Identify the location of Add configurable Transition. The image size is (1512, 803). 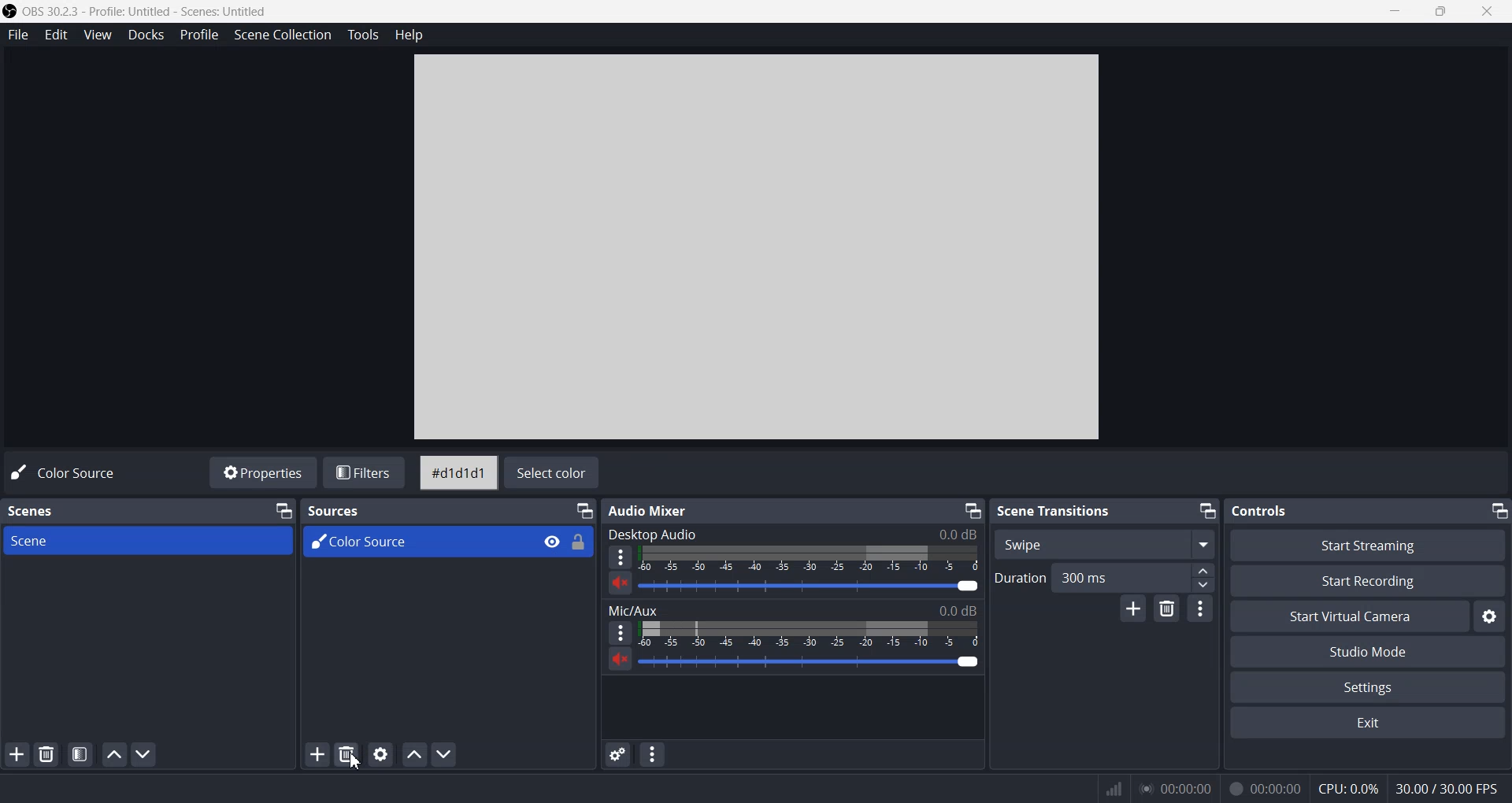
(1132, 609).